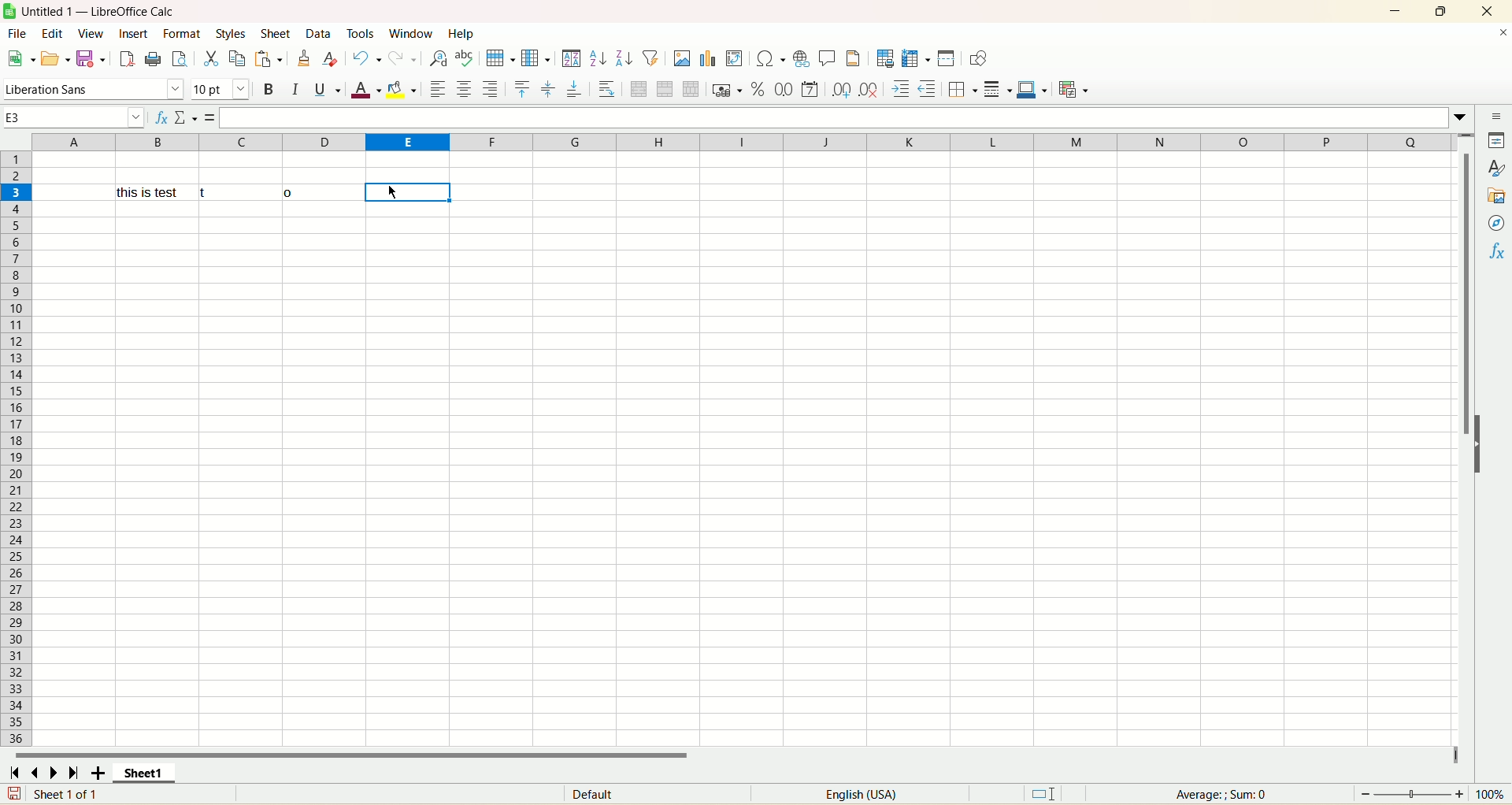  I want to click on open, so click(53, 60).